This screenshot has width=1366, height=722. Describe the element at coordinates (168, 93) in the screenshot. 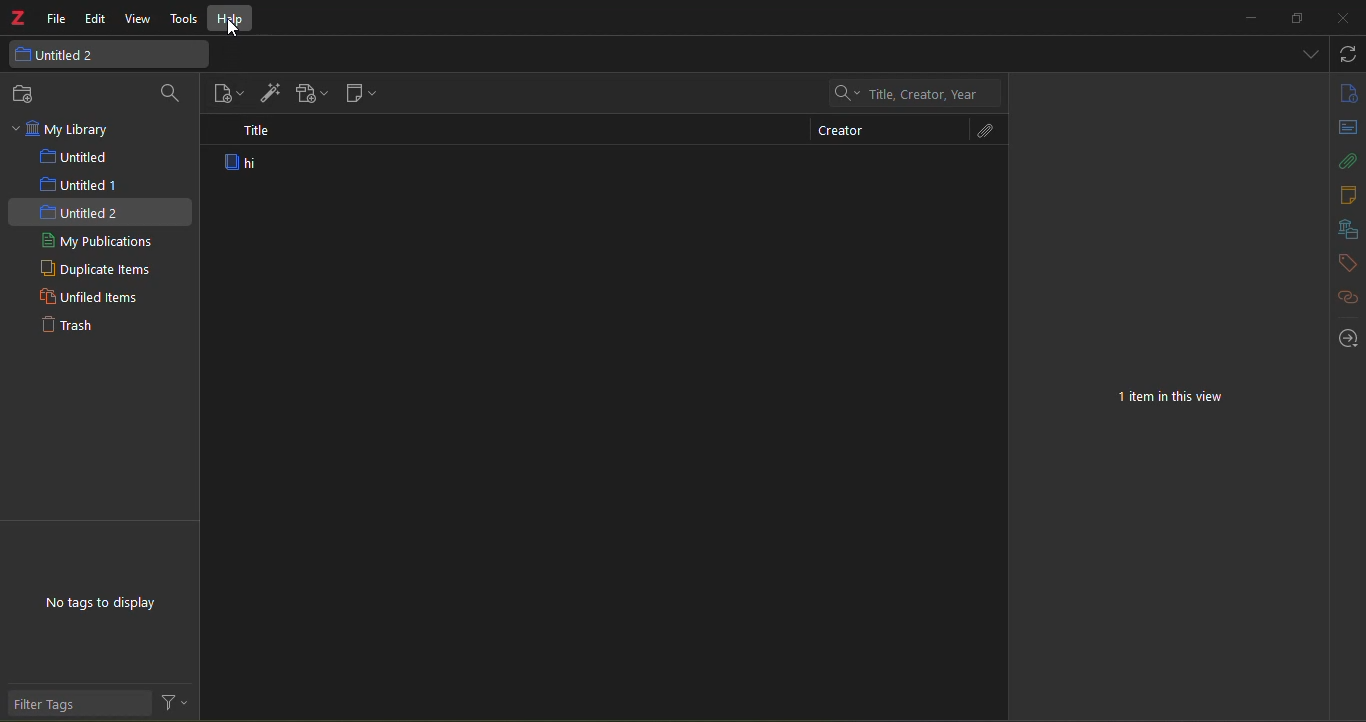

I see `search` at that location.